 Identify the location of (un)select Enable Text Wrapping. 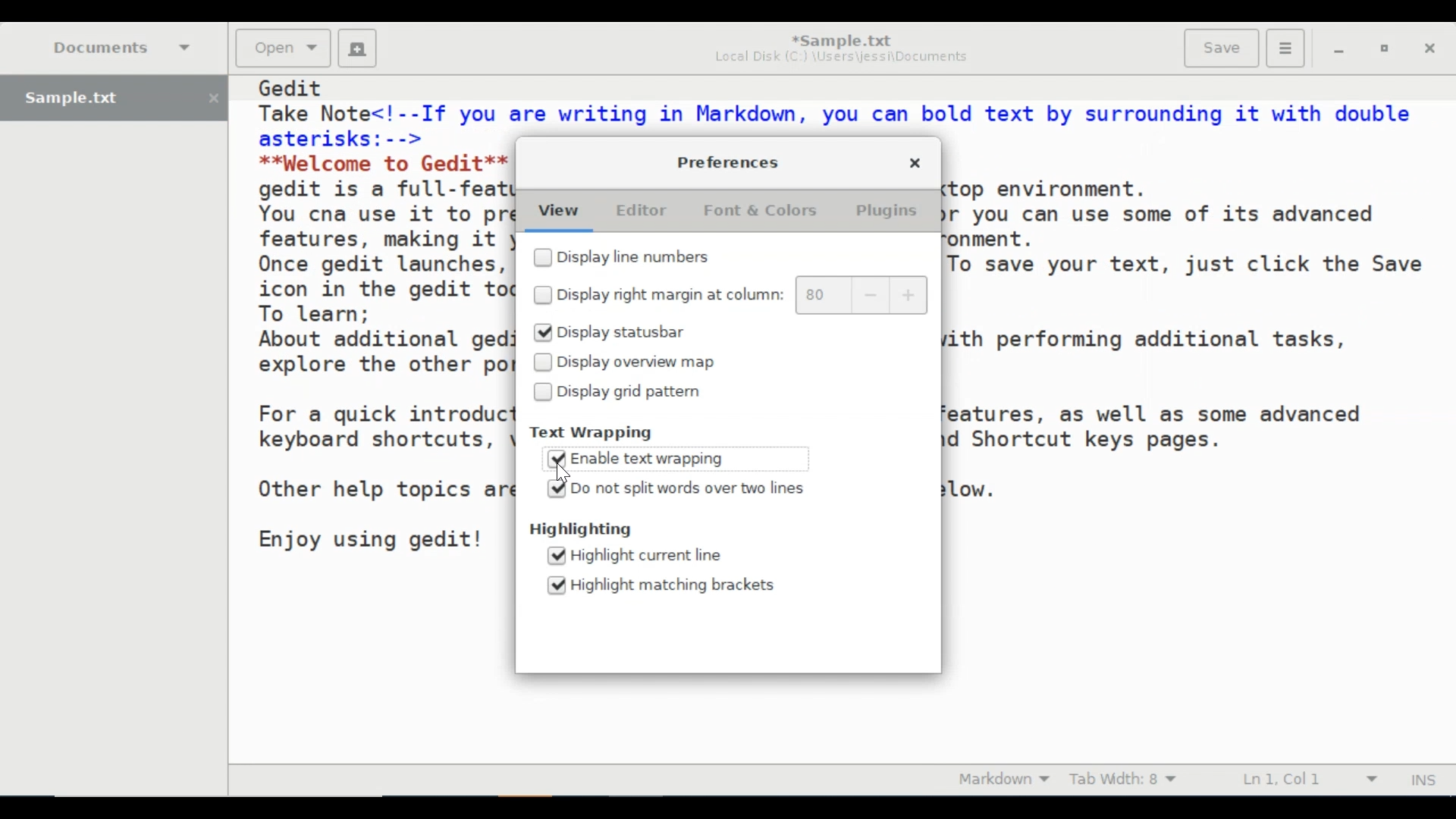
(642, 460).